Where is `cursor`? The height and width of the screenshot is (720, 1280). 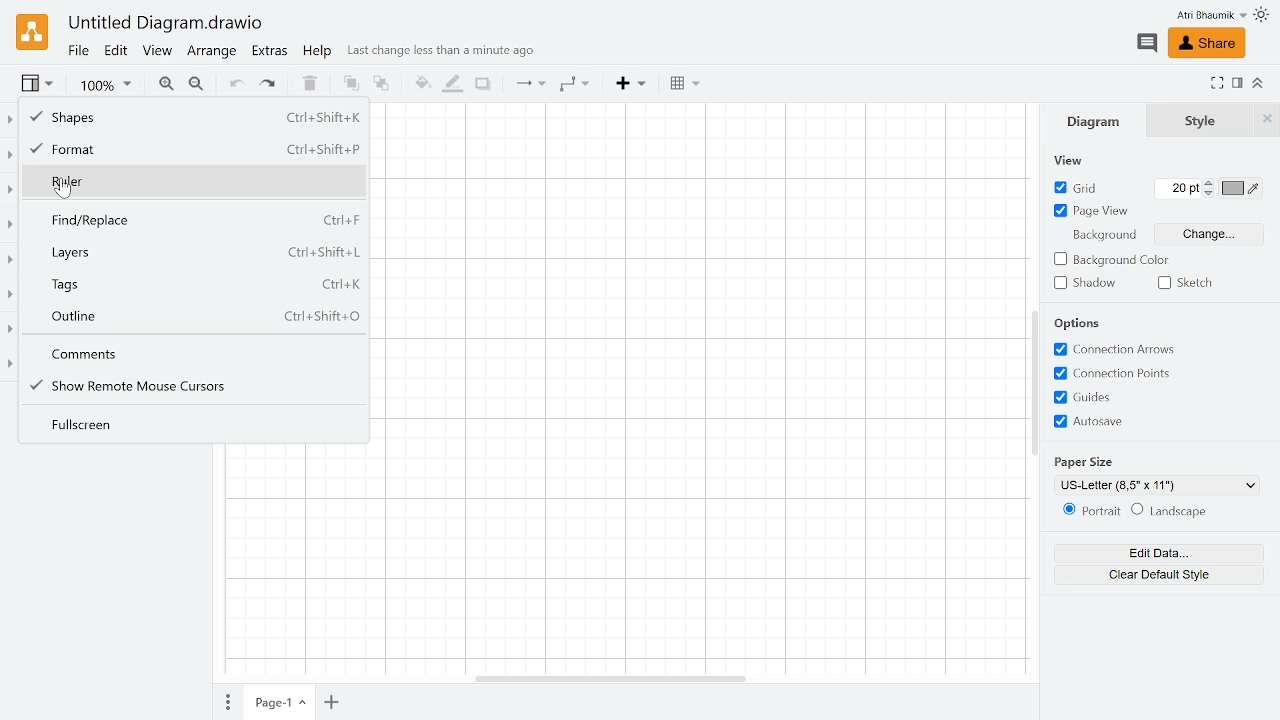
cursor is located at coordinates (62, 191).